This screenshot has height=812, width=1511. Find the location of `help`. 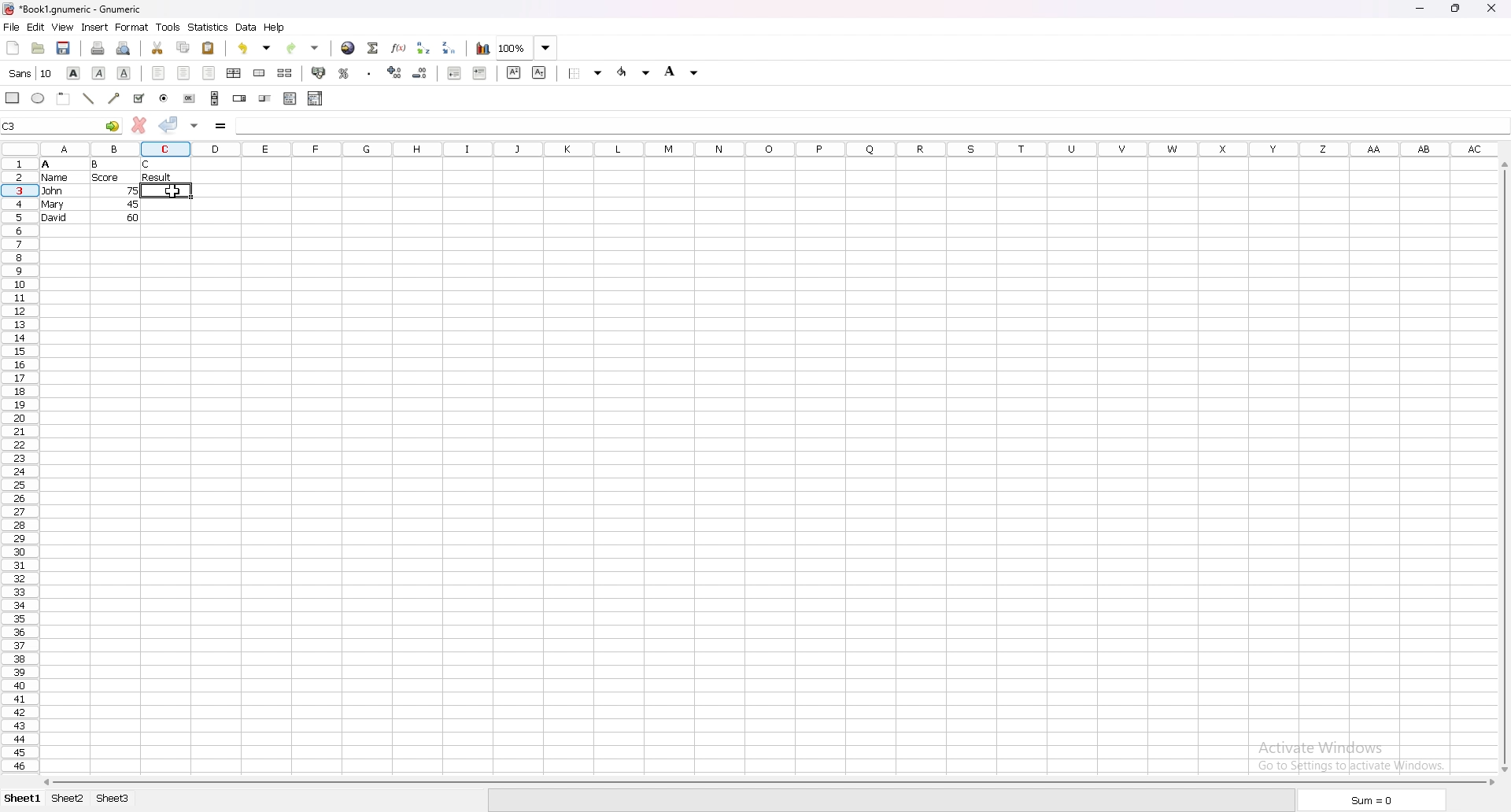

help is located at coordinates (275, 27).